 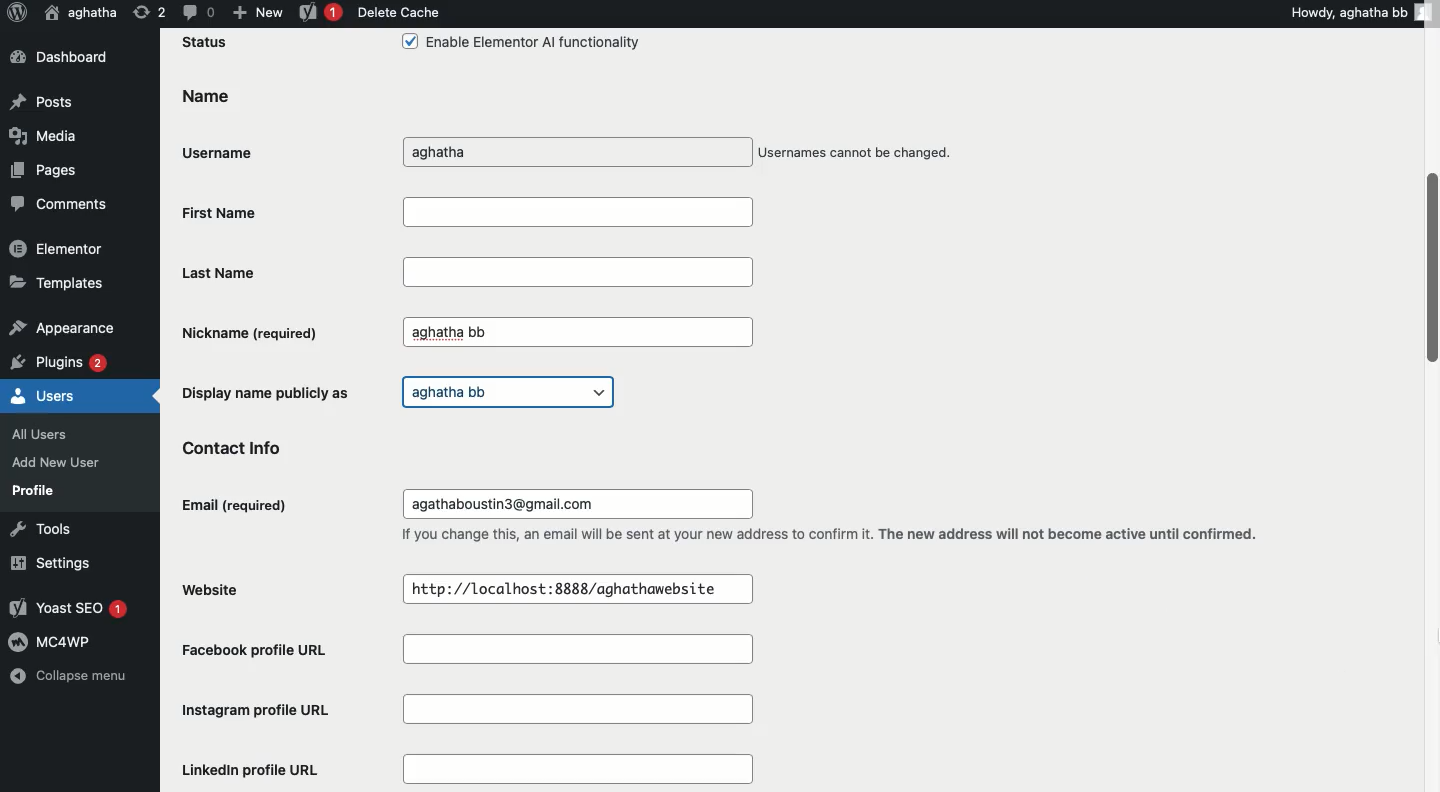 I want to click on Logo, so click(x=16, y=13).